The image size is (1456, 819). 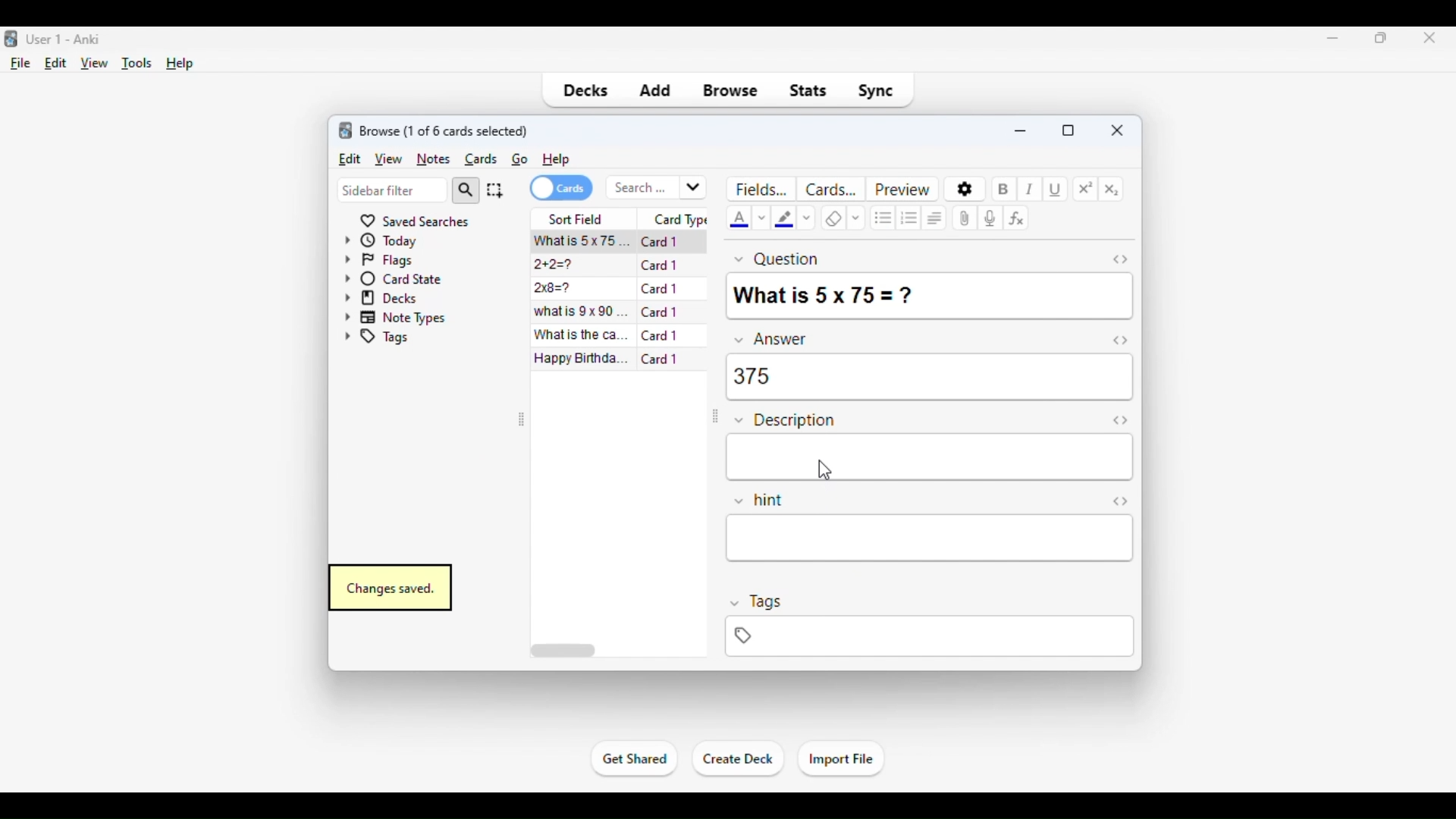 What do you see at coordinates (552, 288) in the screenshot?
I see `2x8=?` at bounding box center [552, 288].